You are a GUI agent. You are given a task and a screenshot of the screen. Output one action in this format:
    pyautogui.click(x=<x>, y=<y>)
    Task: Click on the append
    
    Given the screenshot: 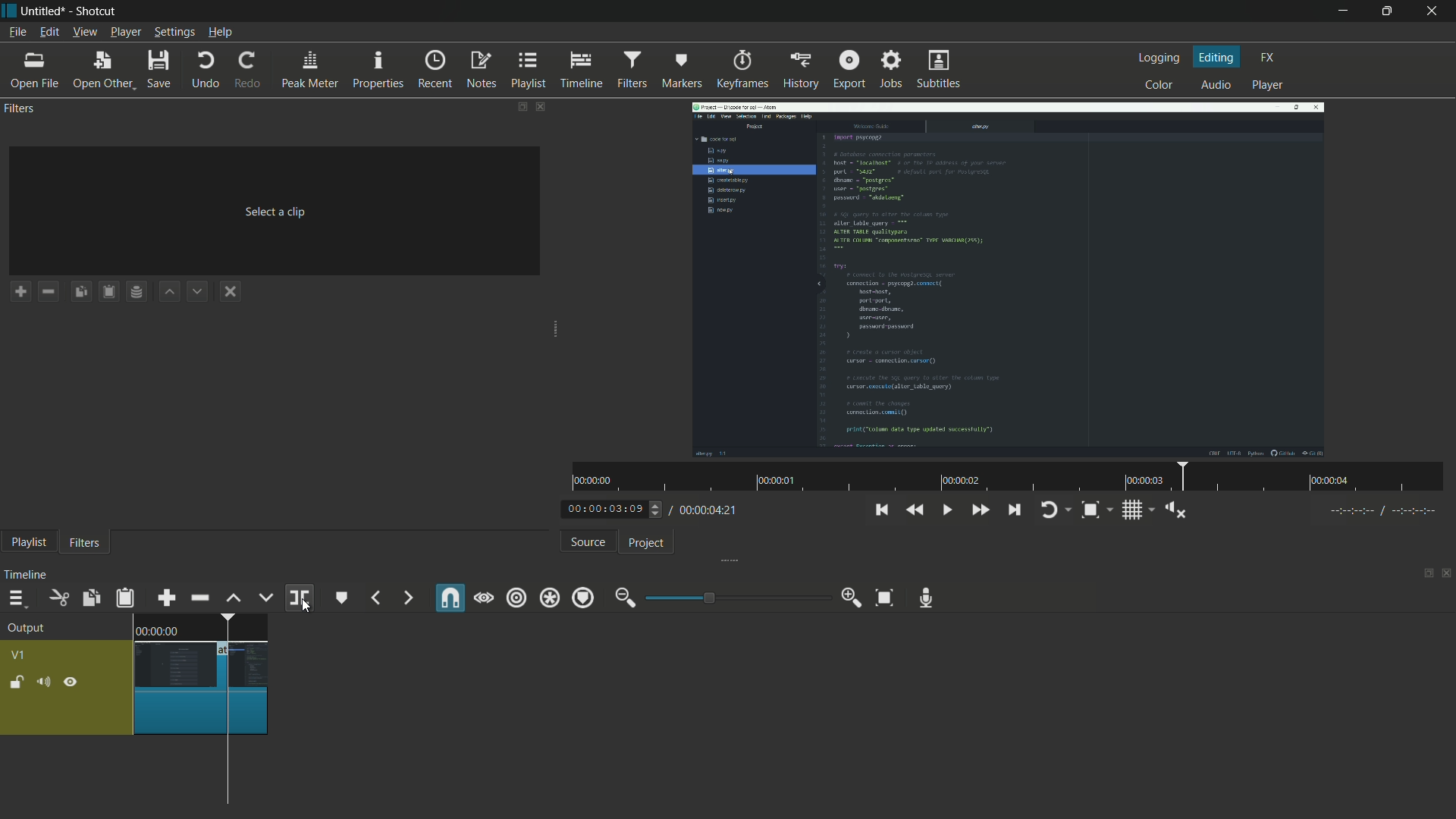 What is the action you would take?
    pyautogui.click(x=168, y=598)
    